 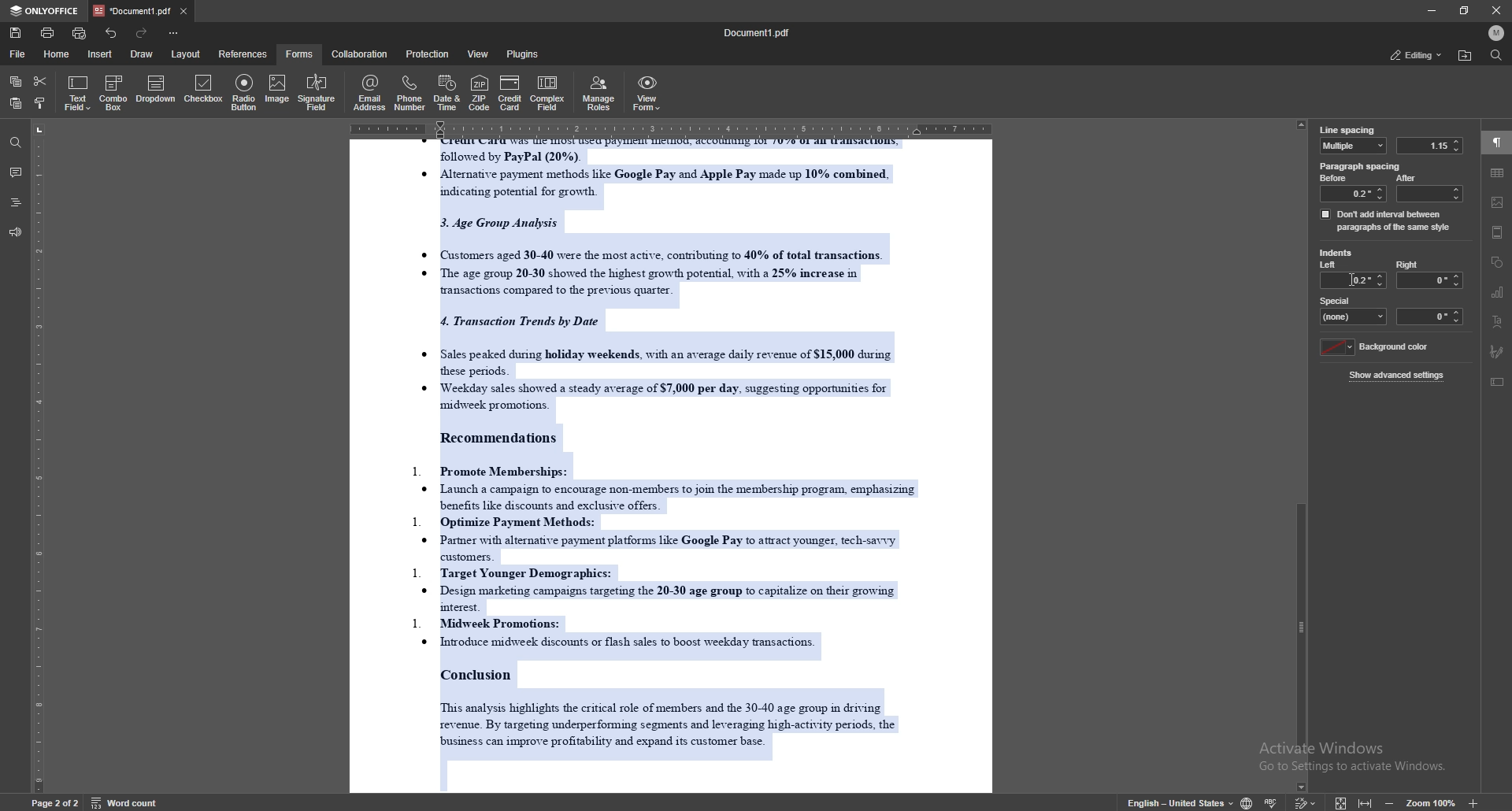 I want to click on cursor, so click(x=1353, y=280).